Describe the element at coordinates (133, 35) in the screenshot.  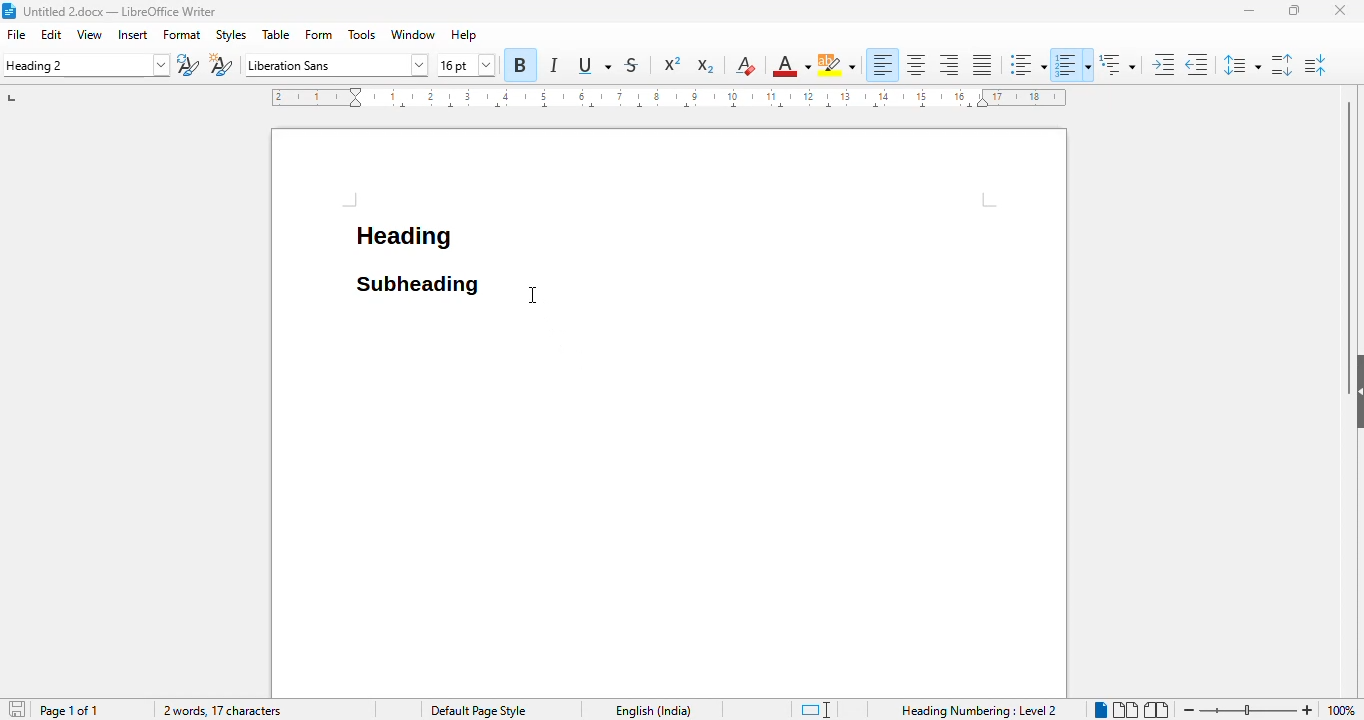
I see `insert` at that location.